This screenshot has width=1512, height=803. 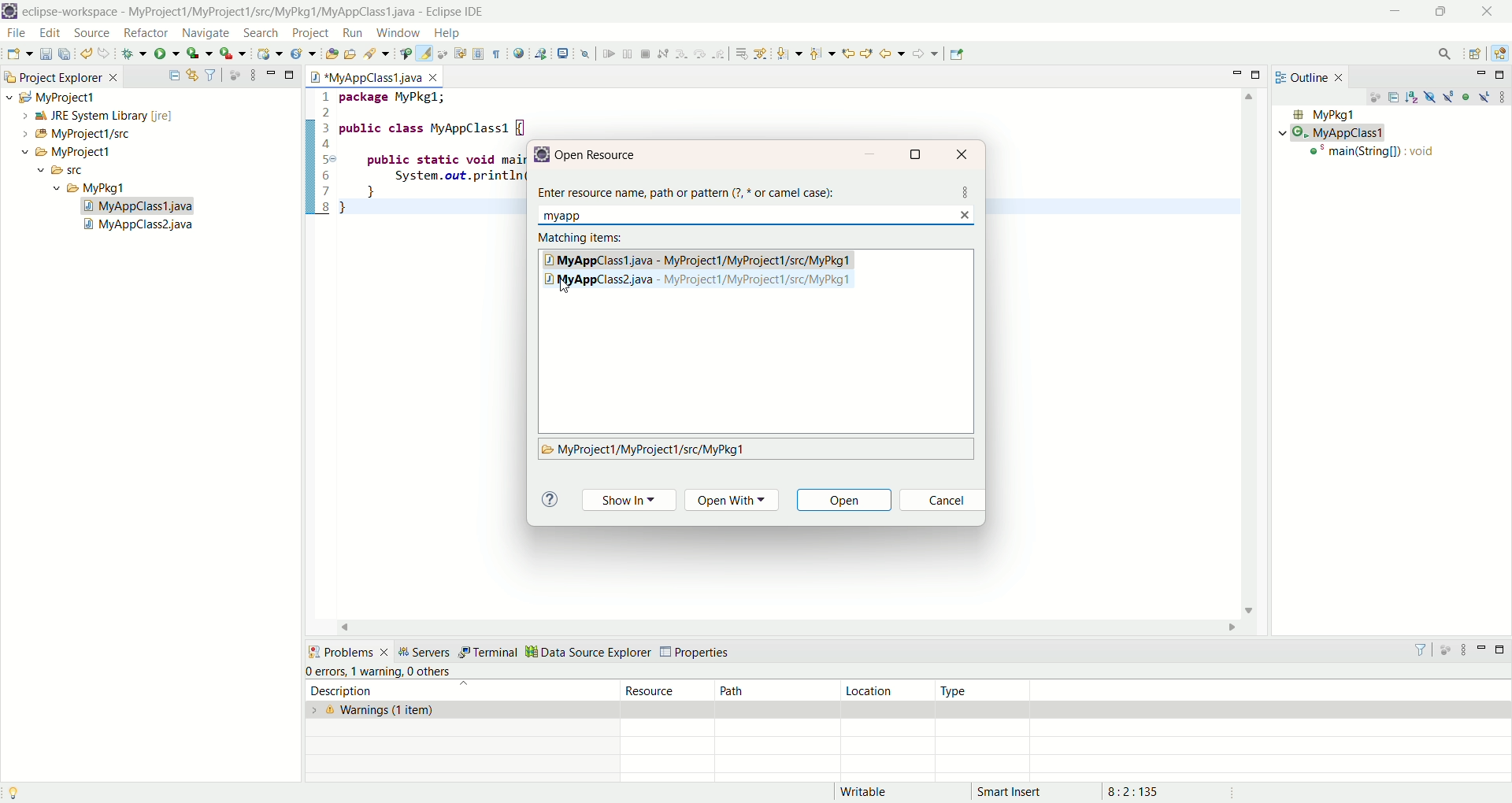 I want to click on view menu, so click(x=1502, y=96).